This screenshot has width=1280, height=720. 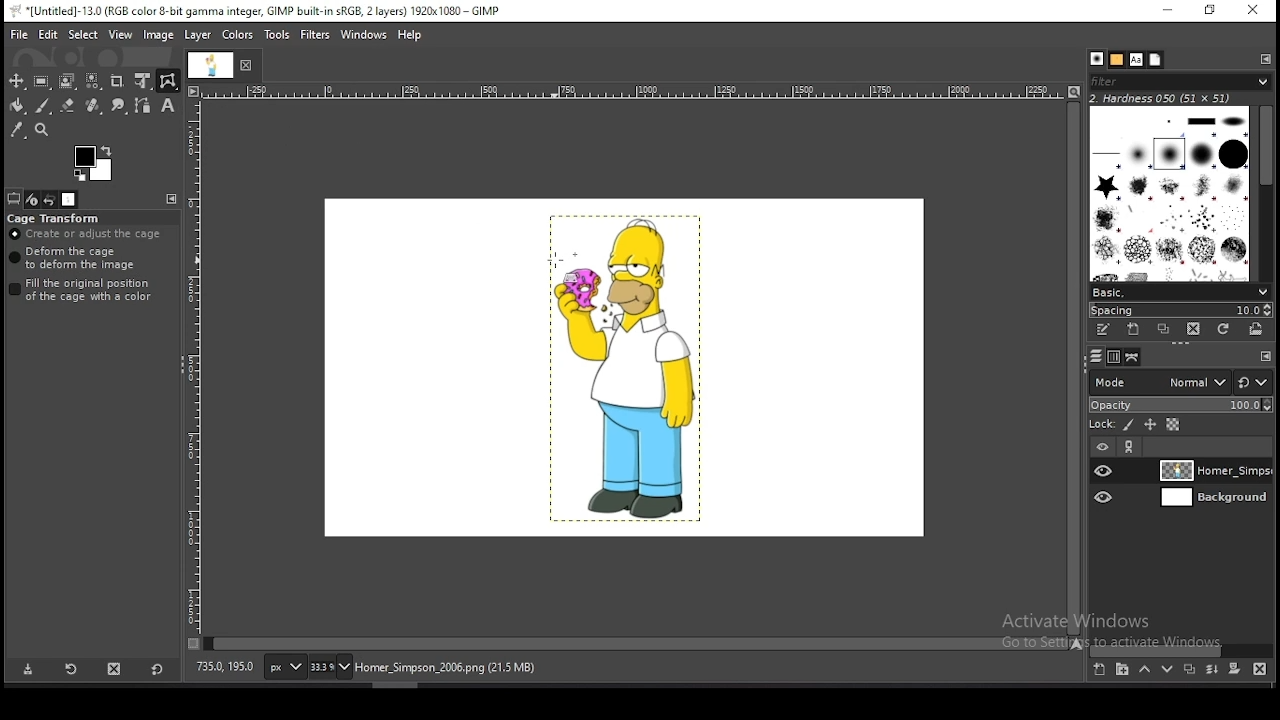 I want to click on colors, so click(x=94, y=164).